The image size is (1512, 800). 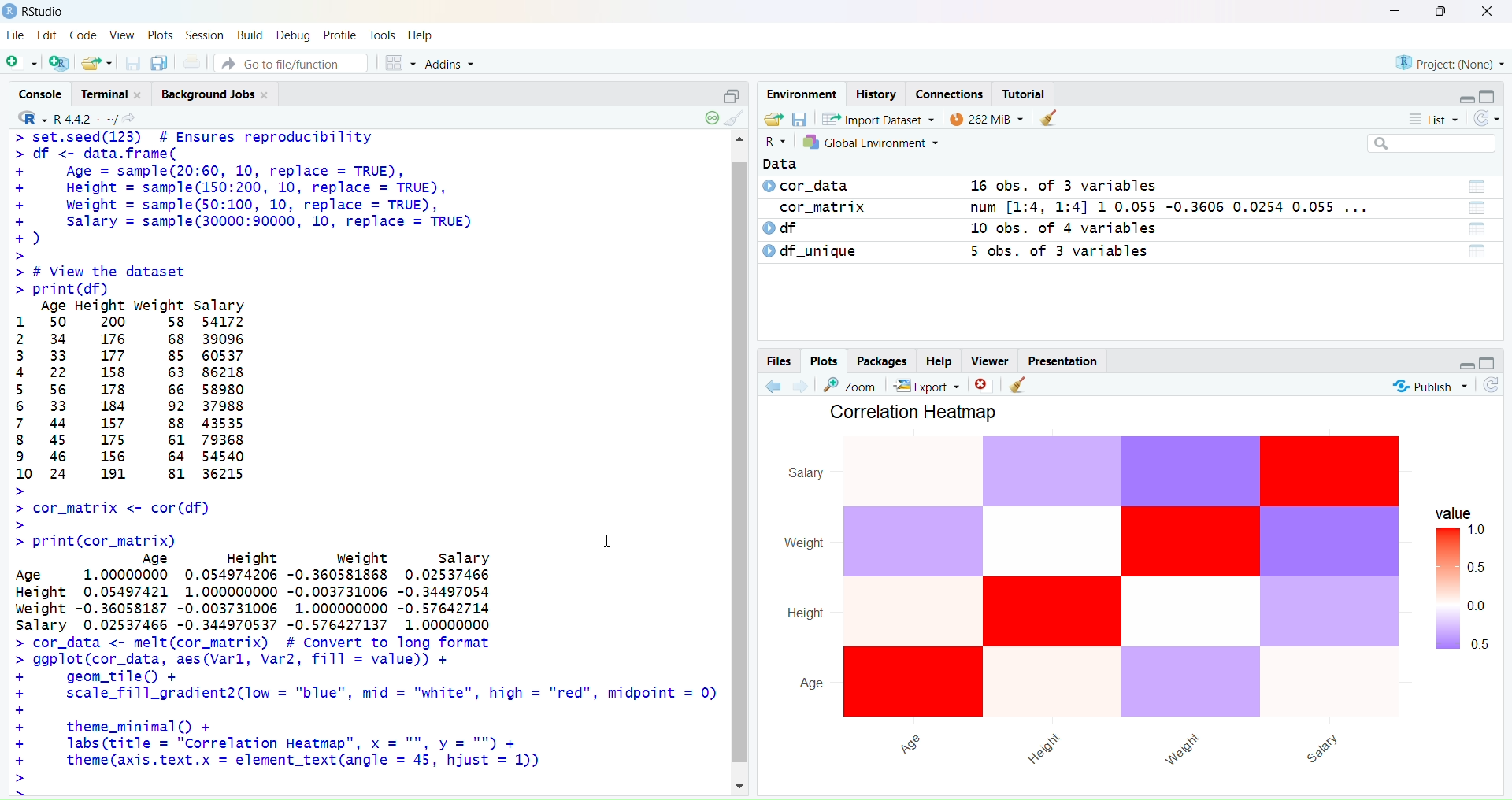 What do you see at coordinates (1452, 65) in the screenshot?
I see `Project (None)` at bounding box center [1452, 65].